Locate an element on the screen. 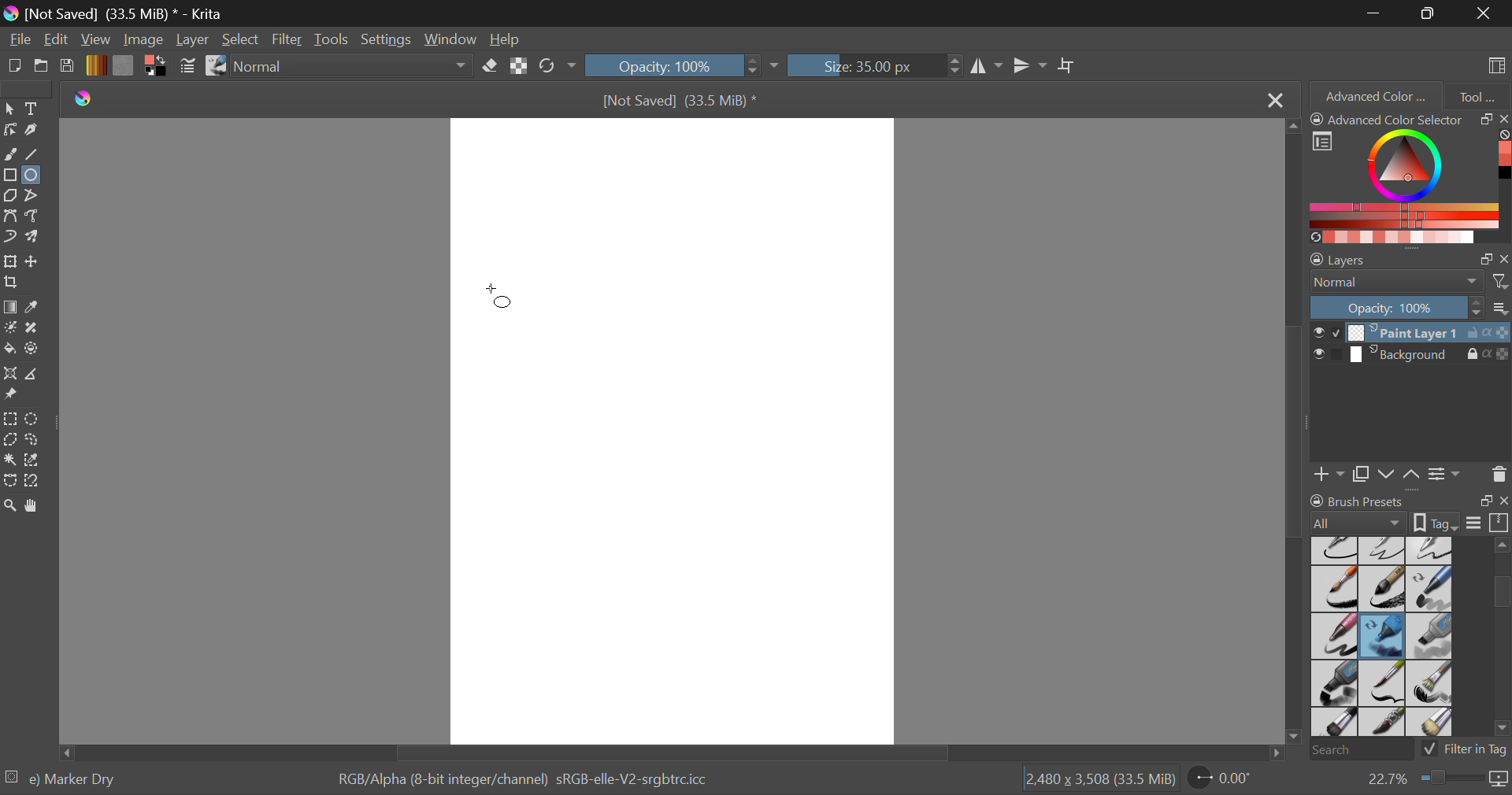 Image resolution: width=1512 pixels, height=795 pixels. Freehand is located at coordinates (11, 154).